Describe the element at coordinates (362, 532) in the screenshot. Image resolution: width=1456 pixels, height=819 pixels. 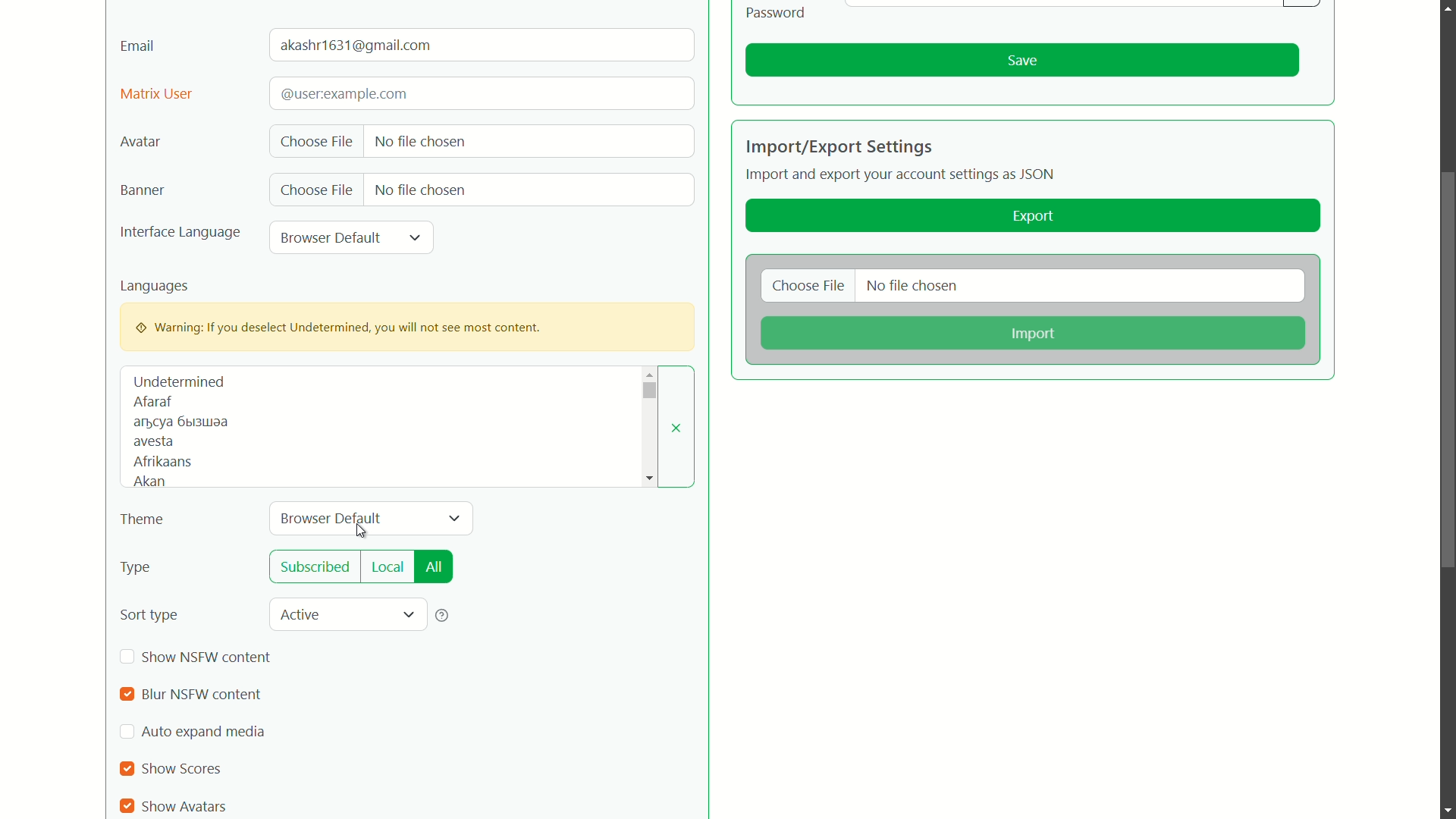
I see `cursor` at that location.